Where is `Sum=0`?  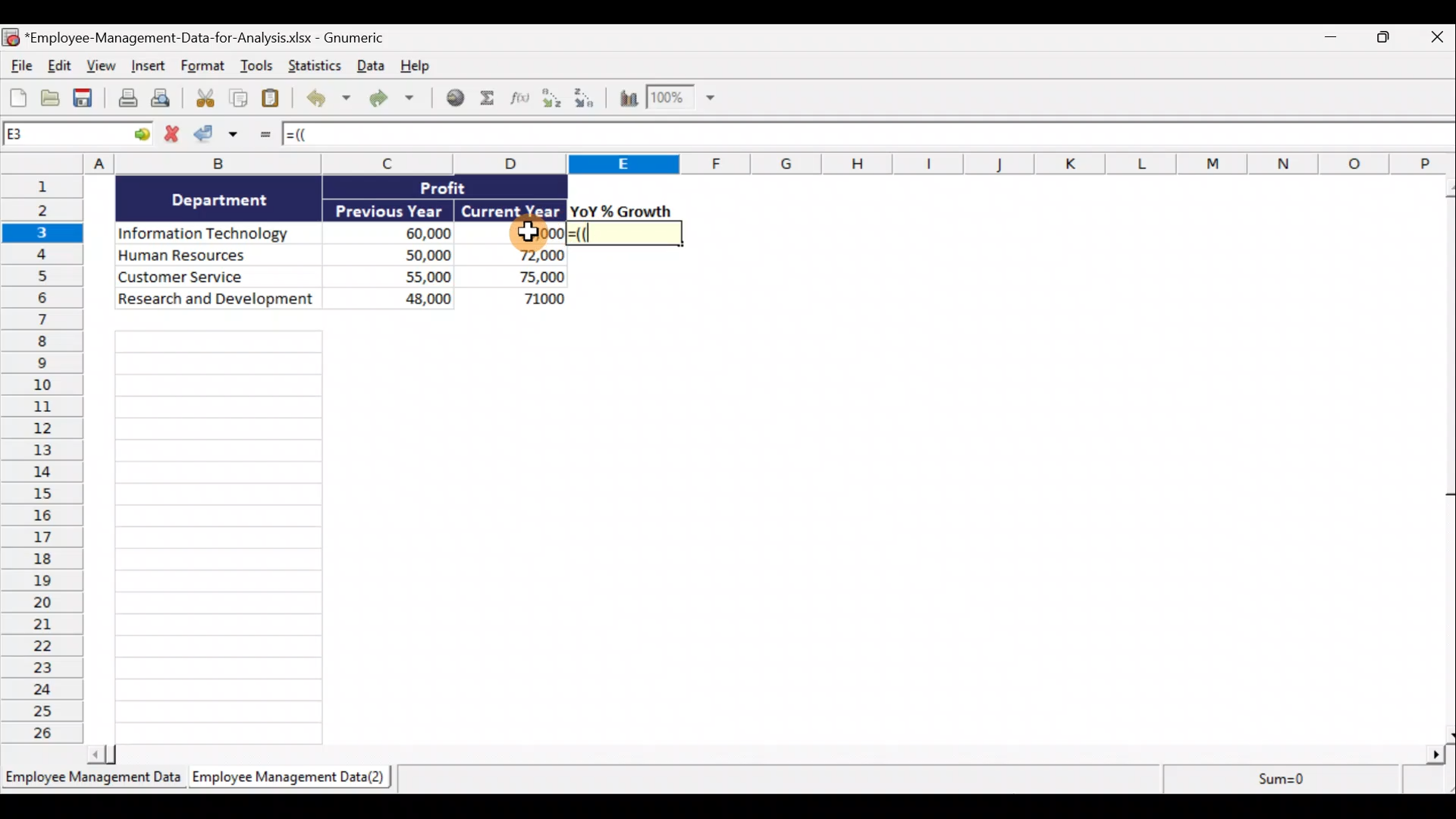
Sum=0 is located at coordinates (1307, 781).